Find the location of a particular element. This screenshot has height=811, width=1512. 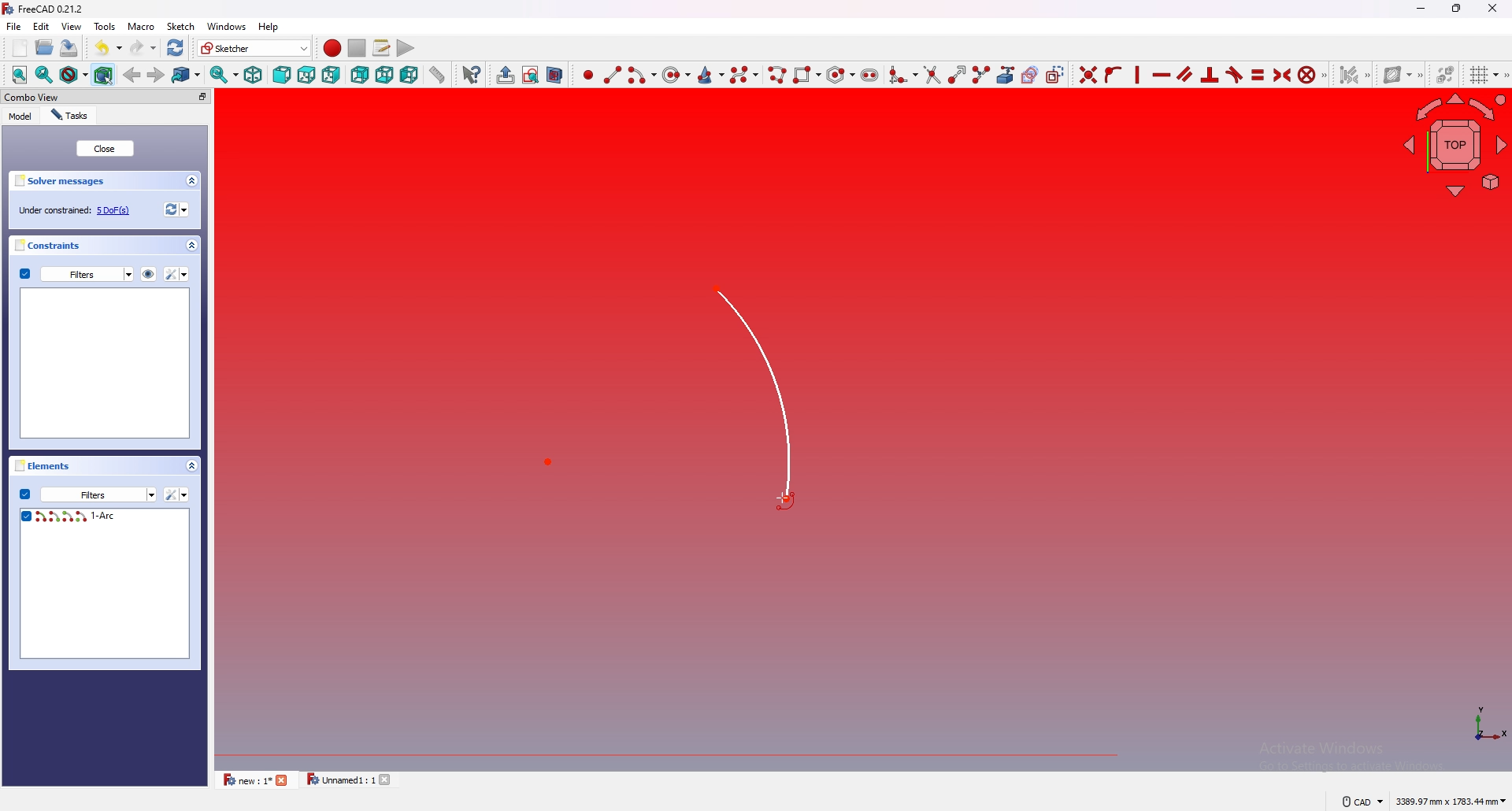

back is located at coordinates (133, 75).